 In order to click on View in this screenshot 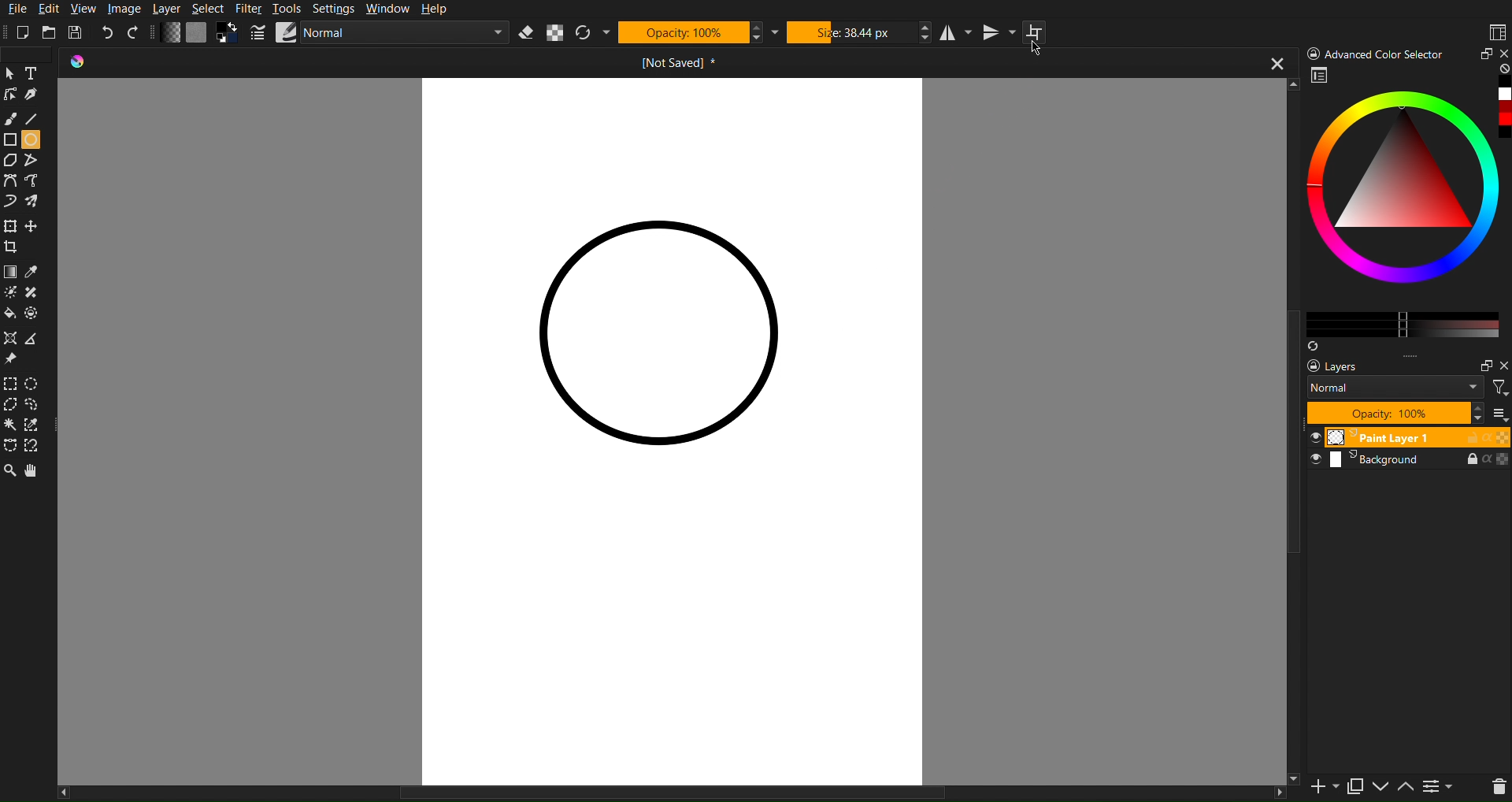, I will do `click(86, 8)`.